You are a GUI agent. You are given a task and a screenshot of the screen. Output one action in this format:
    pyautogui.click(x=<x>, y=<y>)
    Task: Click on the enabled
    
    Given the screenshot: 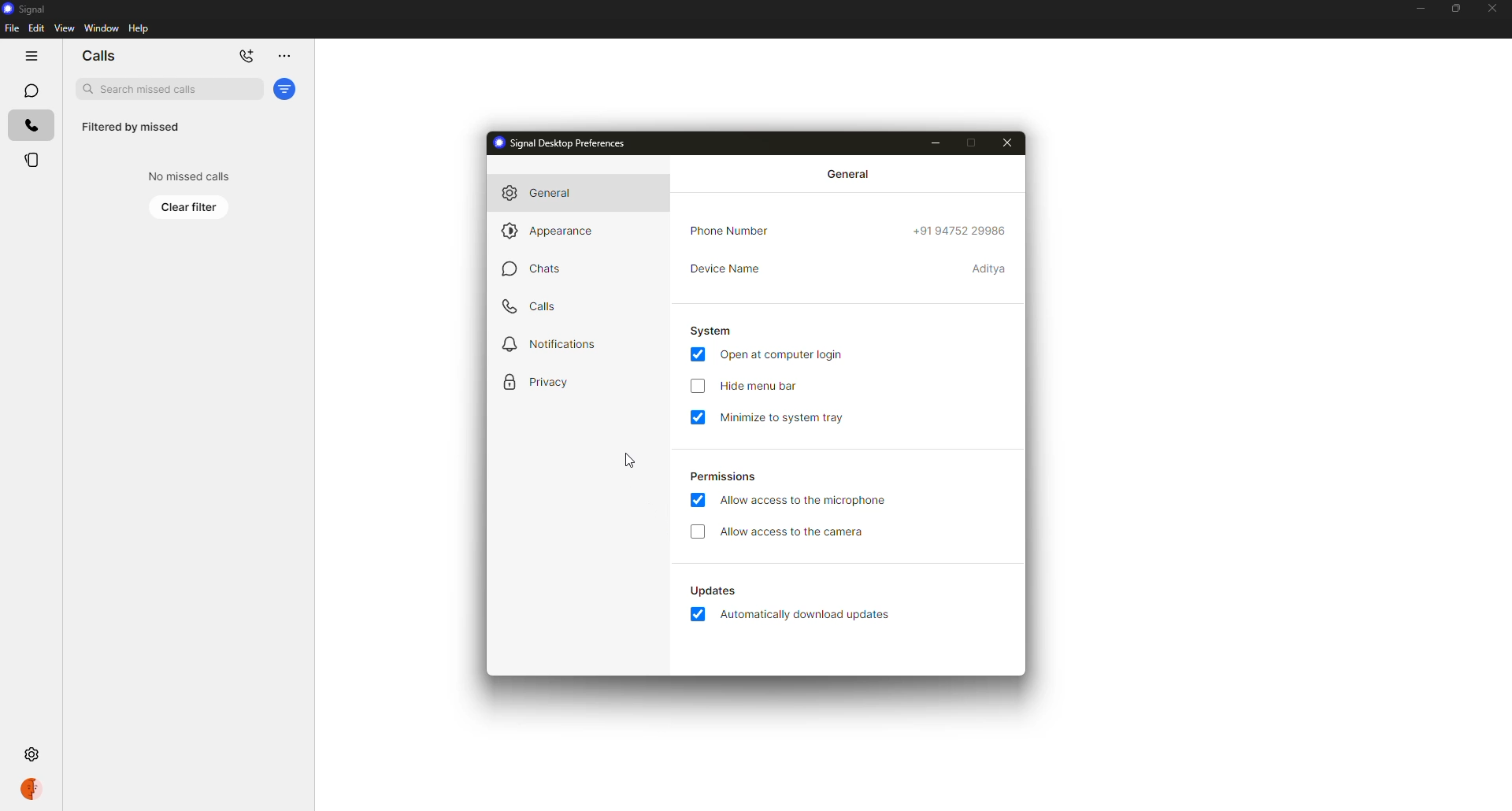 What is the action you would take?
    pyautogui.click(x=698, y=354)
    